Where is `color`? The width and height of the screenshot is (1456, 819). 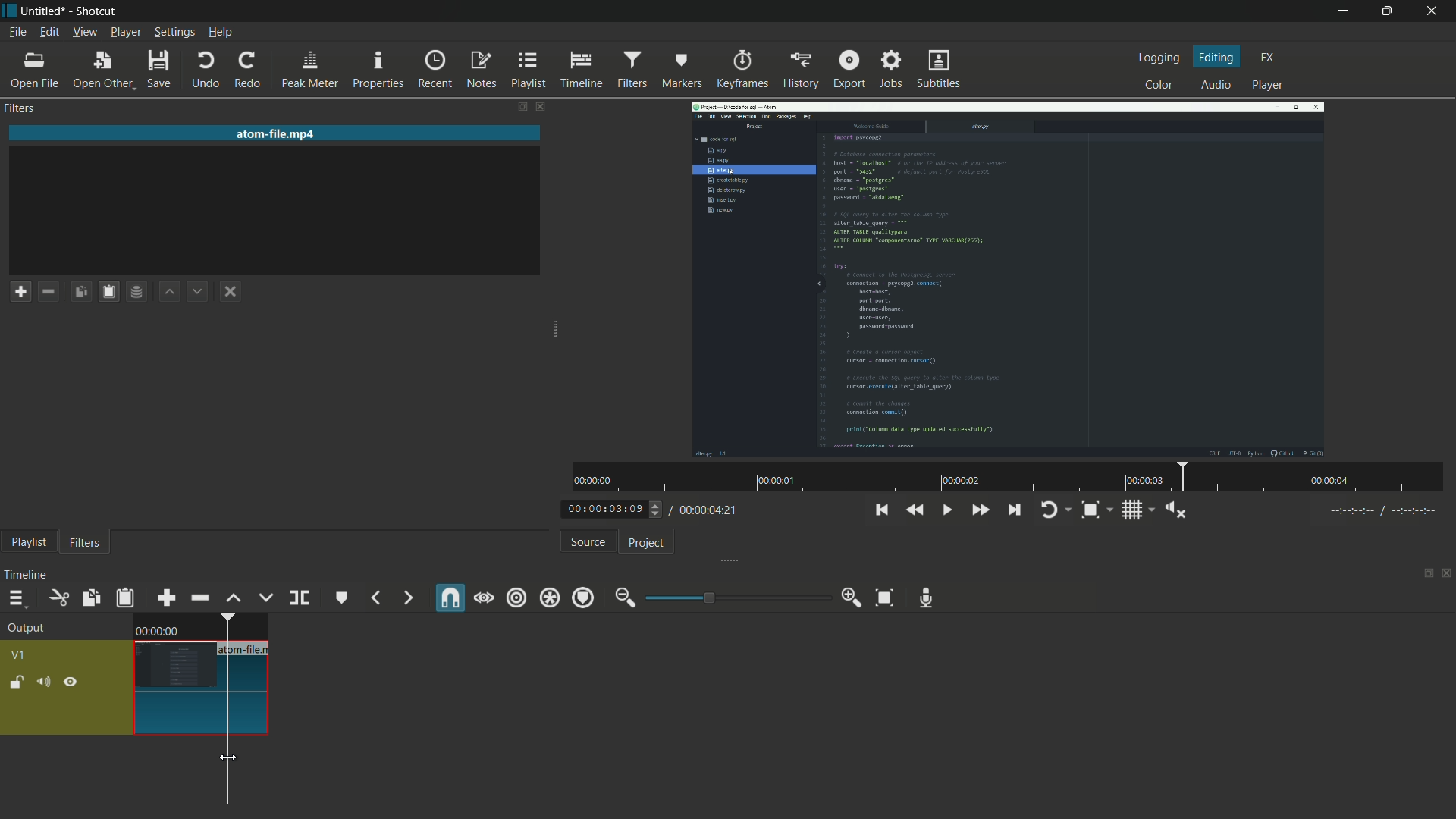 color is located at coordinates (1159, 86).